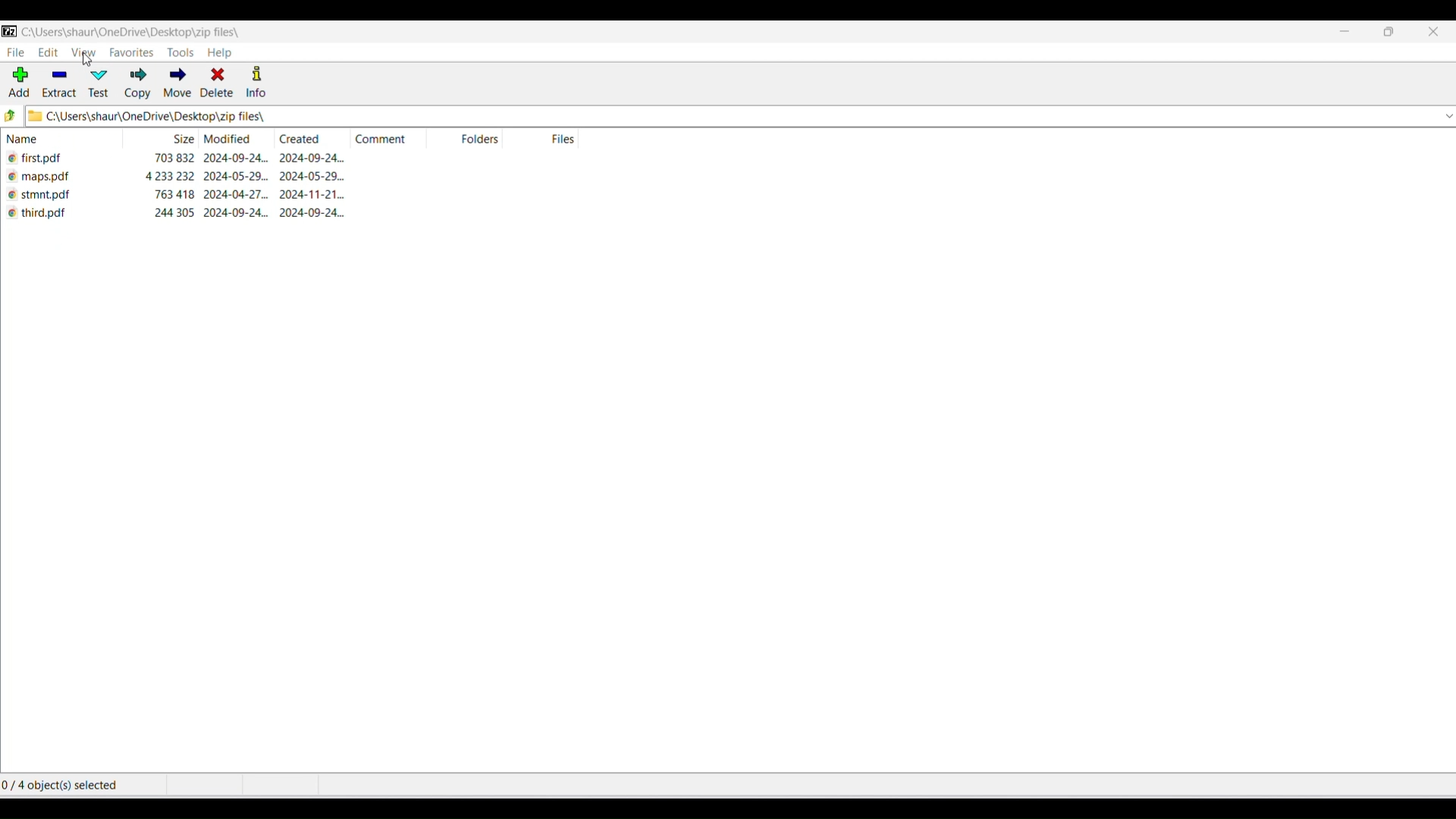 This screenshot has width=1456, height=819. I want to click on maximize, so click(1389, 35).